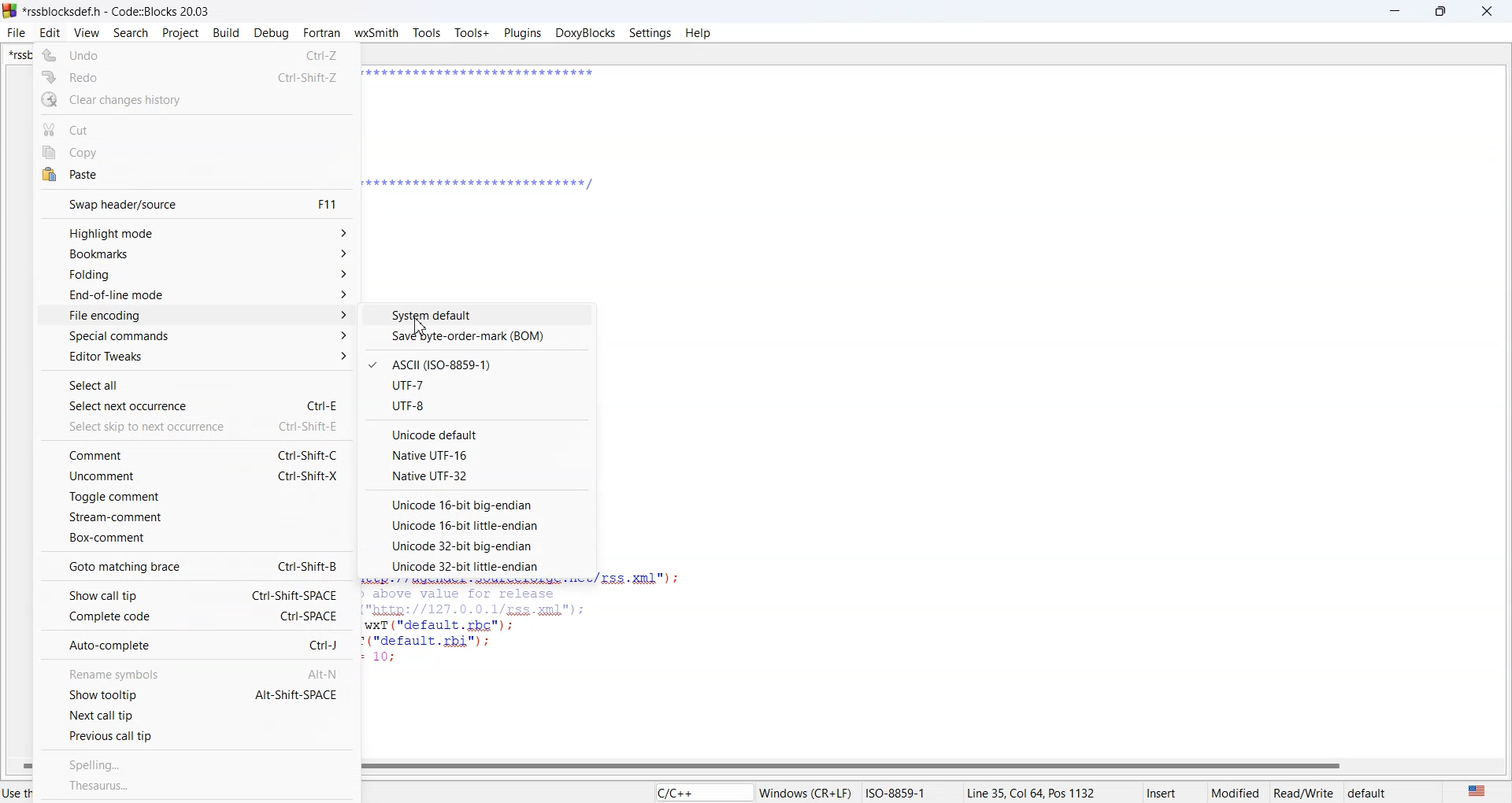 The width and height of the screenshot is (1512, 803). Describe the element at coordinates (476, 504) in the screenshot. I see `Unicode 16-bit big ending` at that location.